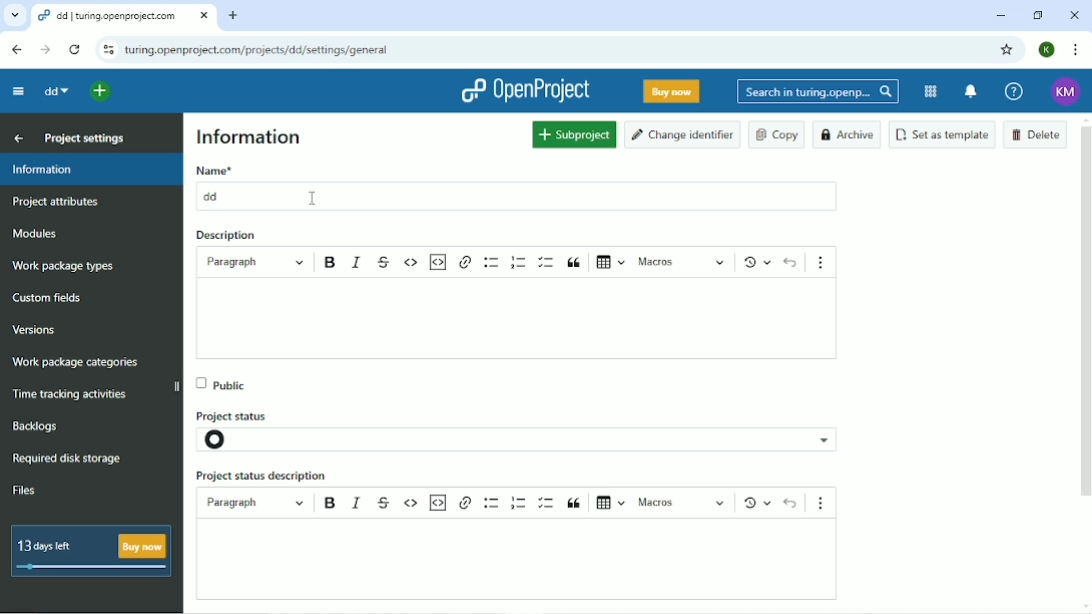  Describe the element at coordinates (13, 15) in the screenshot. I see `Search tabs` at that location.